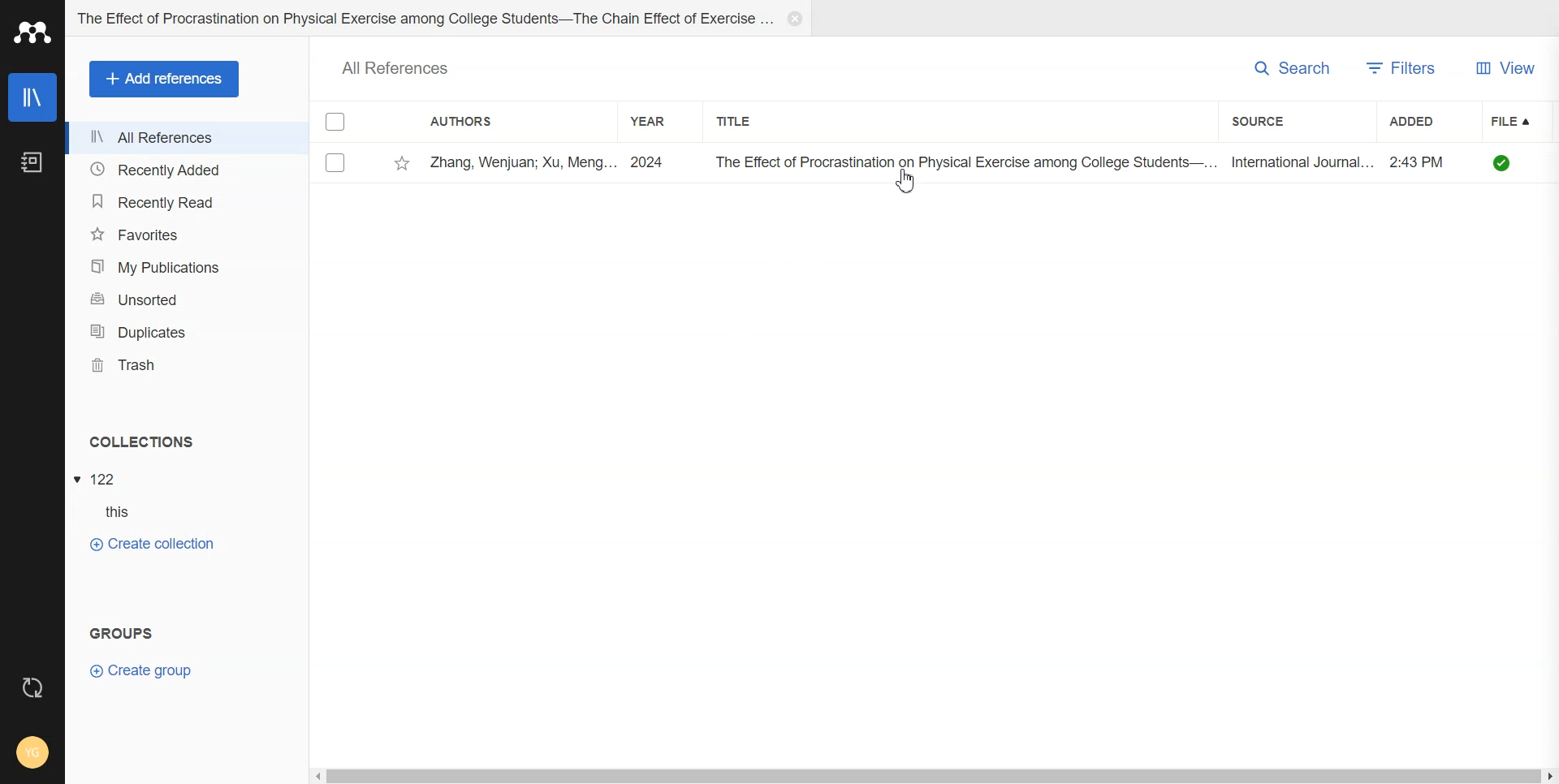 The height and width of the screenshot is (784, 1559). I want to click on Library, so click(32, 97).